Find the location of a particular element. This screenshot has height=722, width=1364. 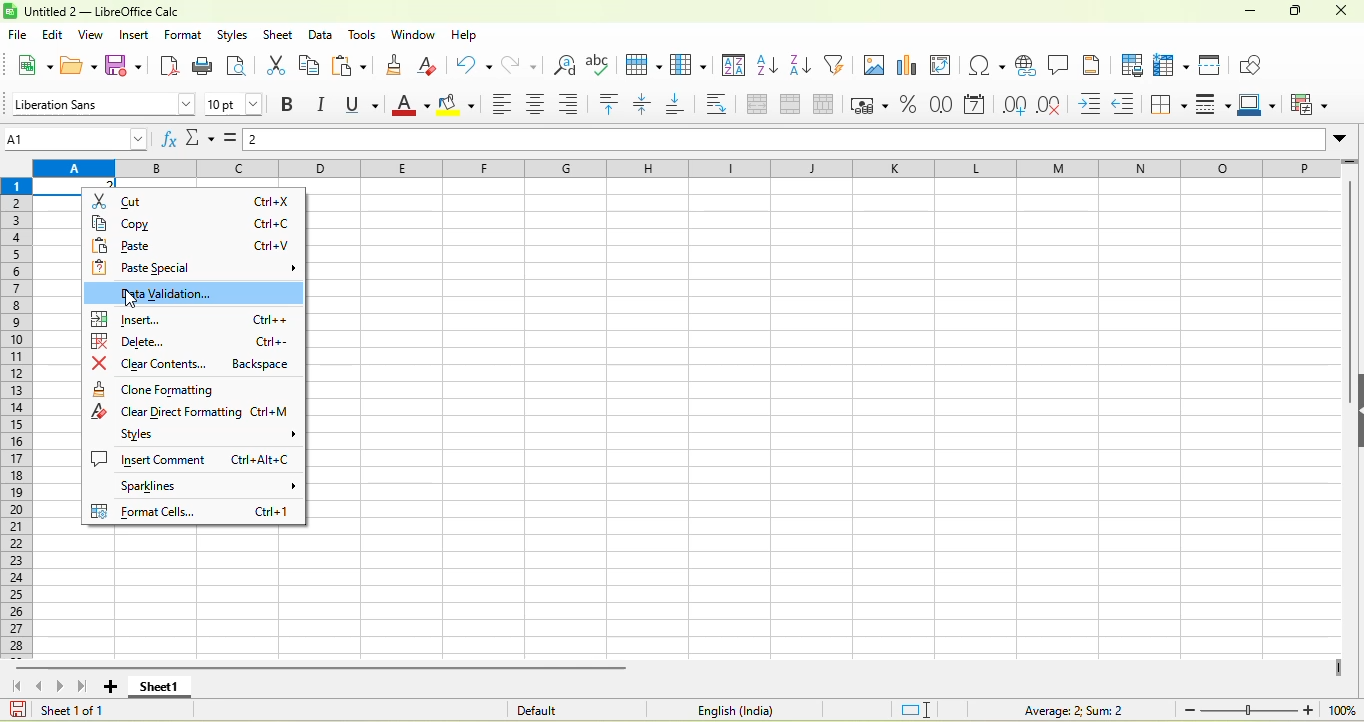

insert is located at coordinates (194, 319).